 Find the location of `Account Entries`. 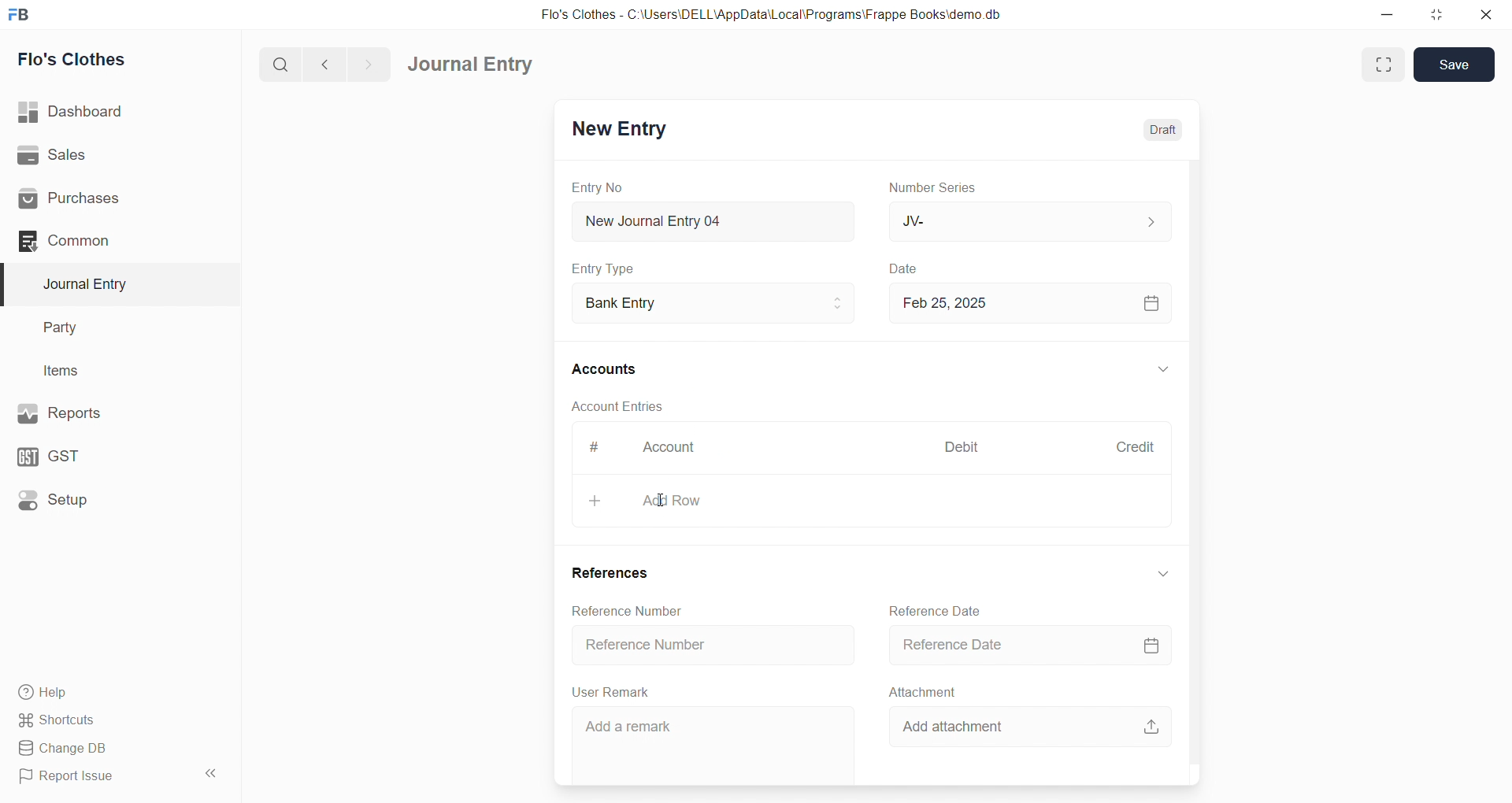

Account Entries is located at coordinates (616, 405).